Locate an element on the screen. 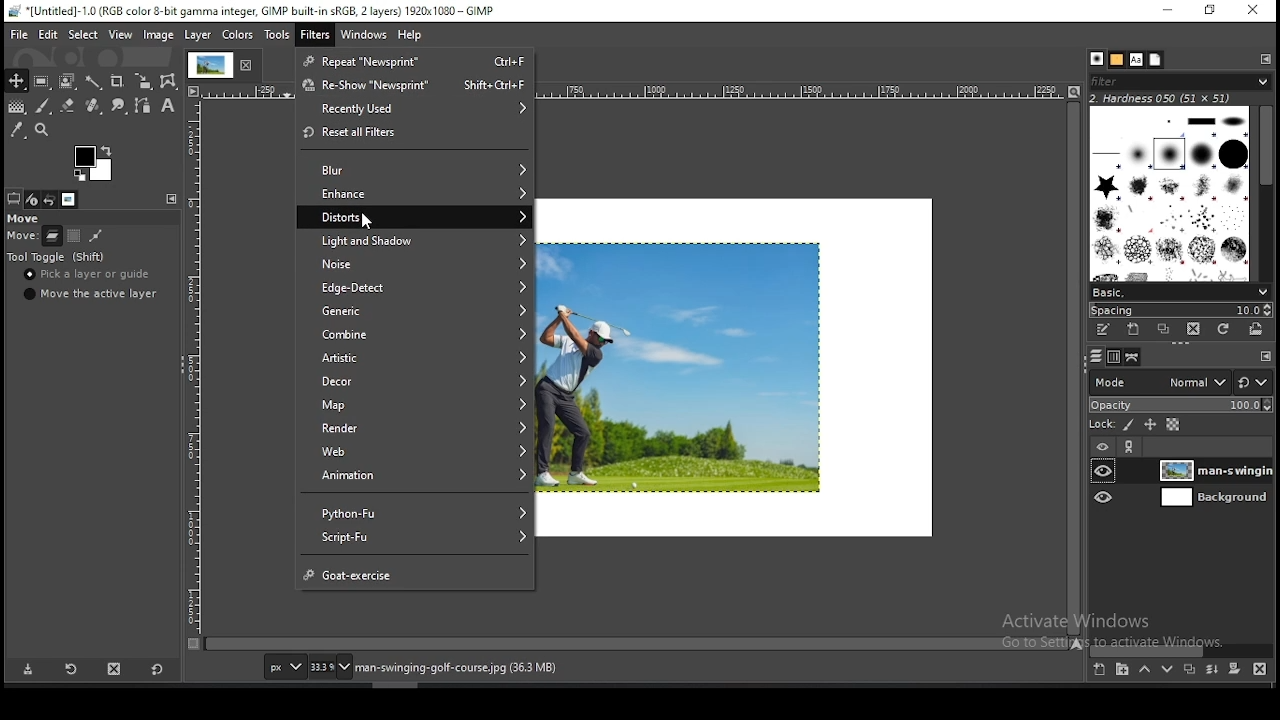  edit this brush is located at coordinates (1104, 331).